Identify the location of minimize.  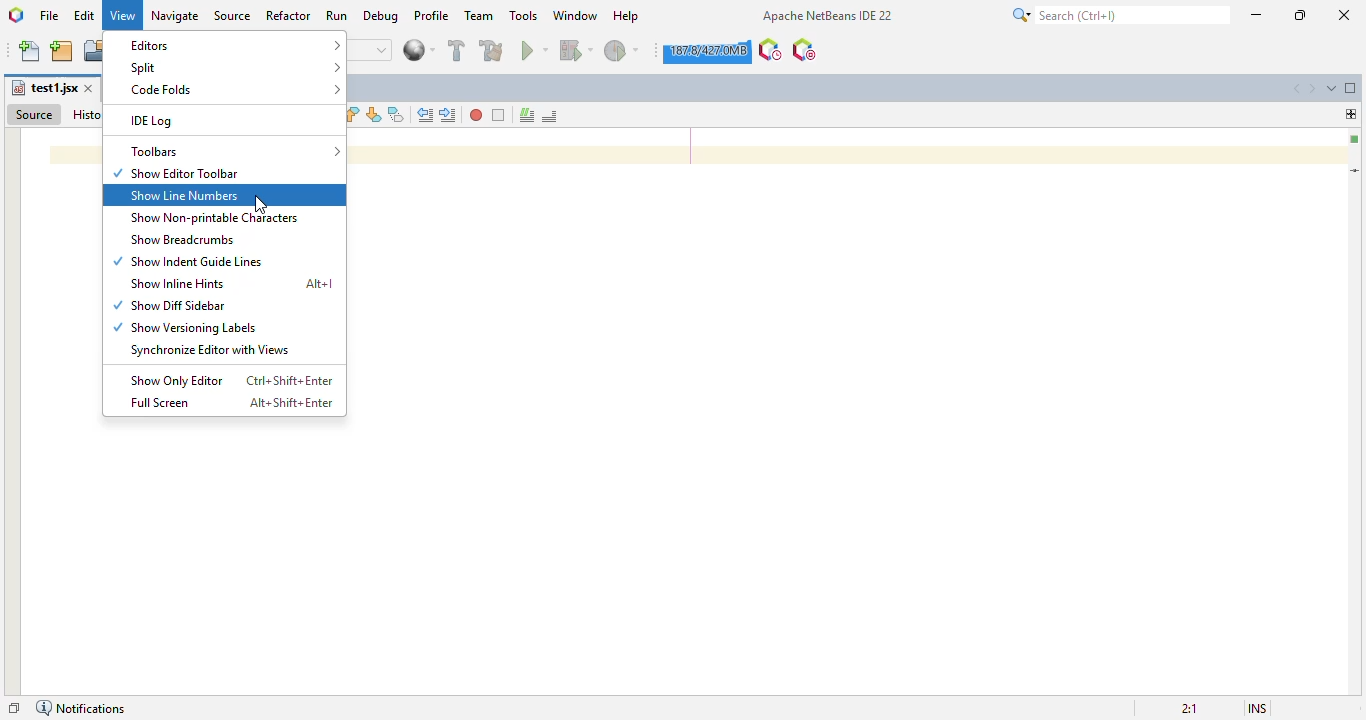
(1257, 15).